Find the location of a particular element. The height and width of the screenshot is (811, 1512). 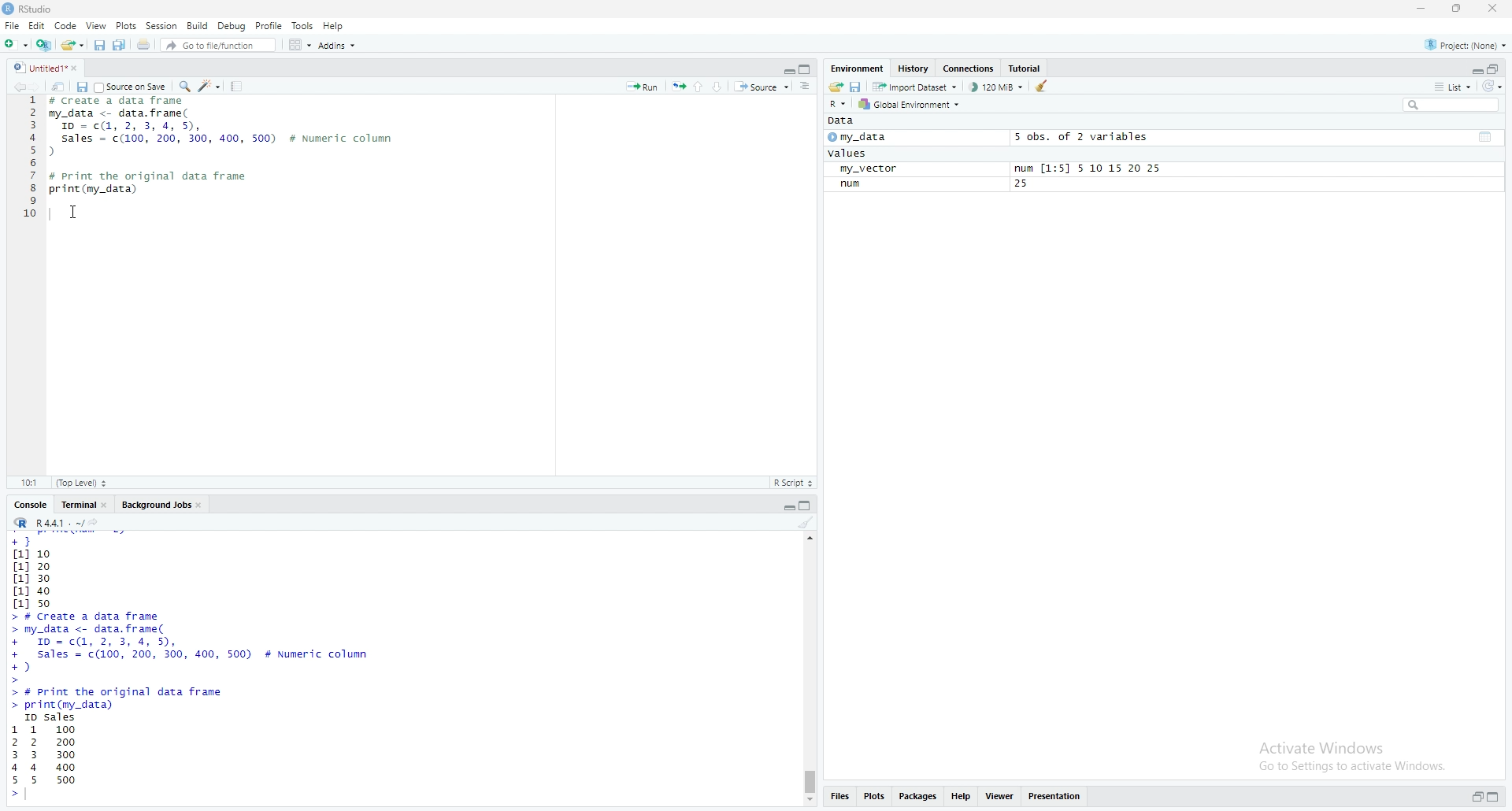

compile report is located at coordinates (238, 87).